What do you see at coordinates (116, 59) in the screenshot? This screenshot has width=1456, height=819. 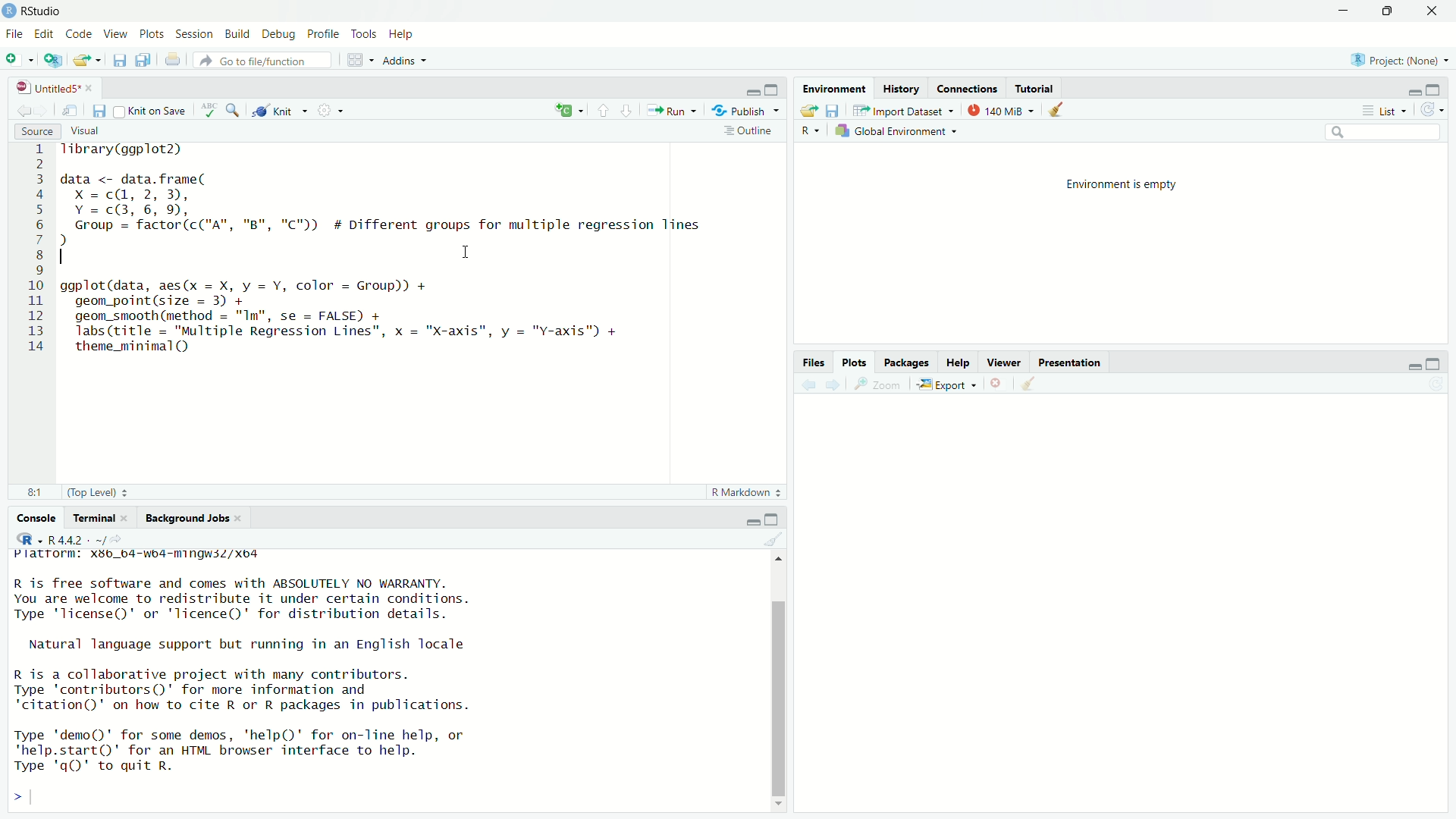 I see `save` at bounding box center [116, 59].